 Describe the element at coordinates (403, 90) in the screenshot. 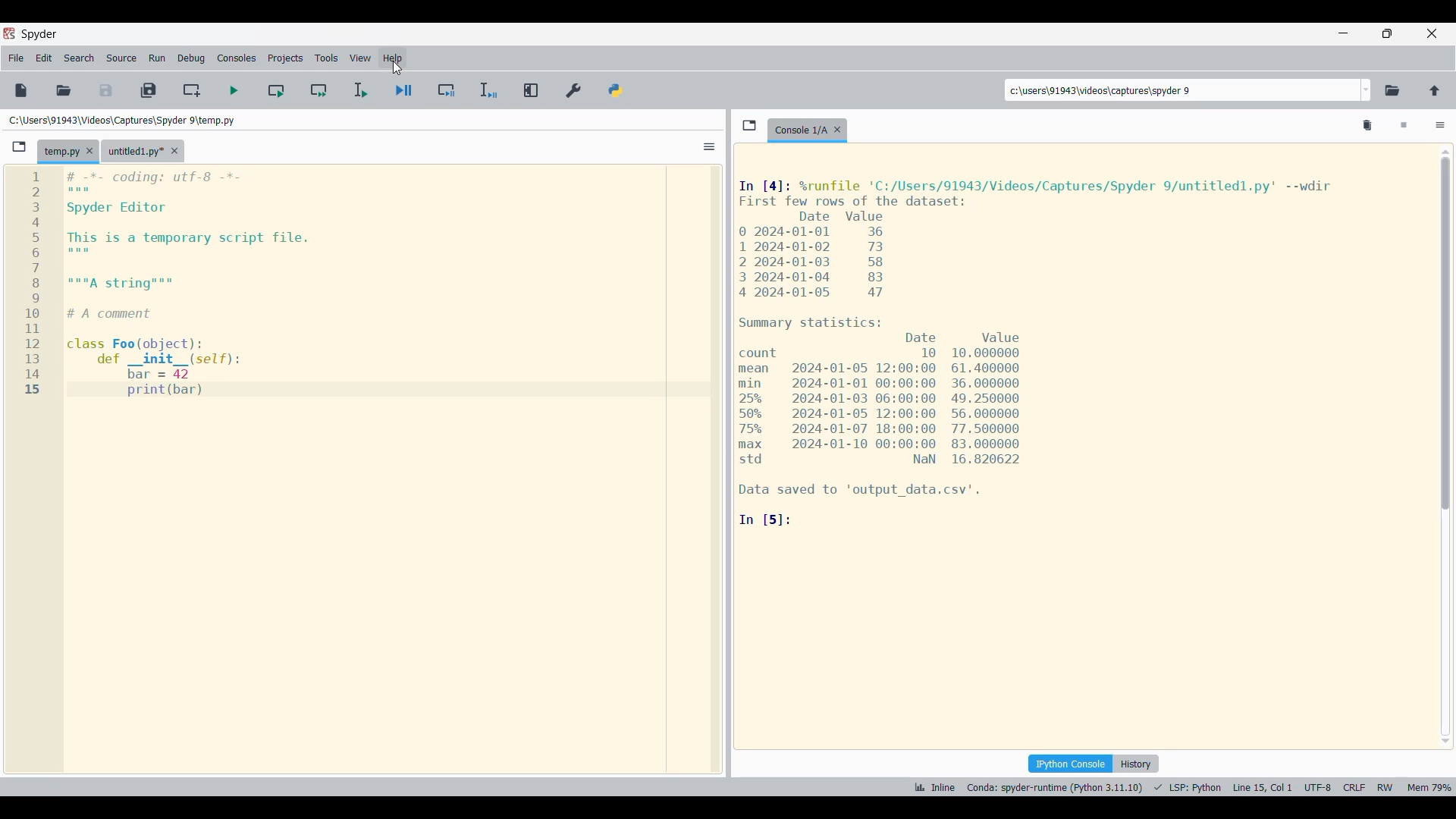

I see `Debug cell` at that location.